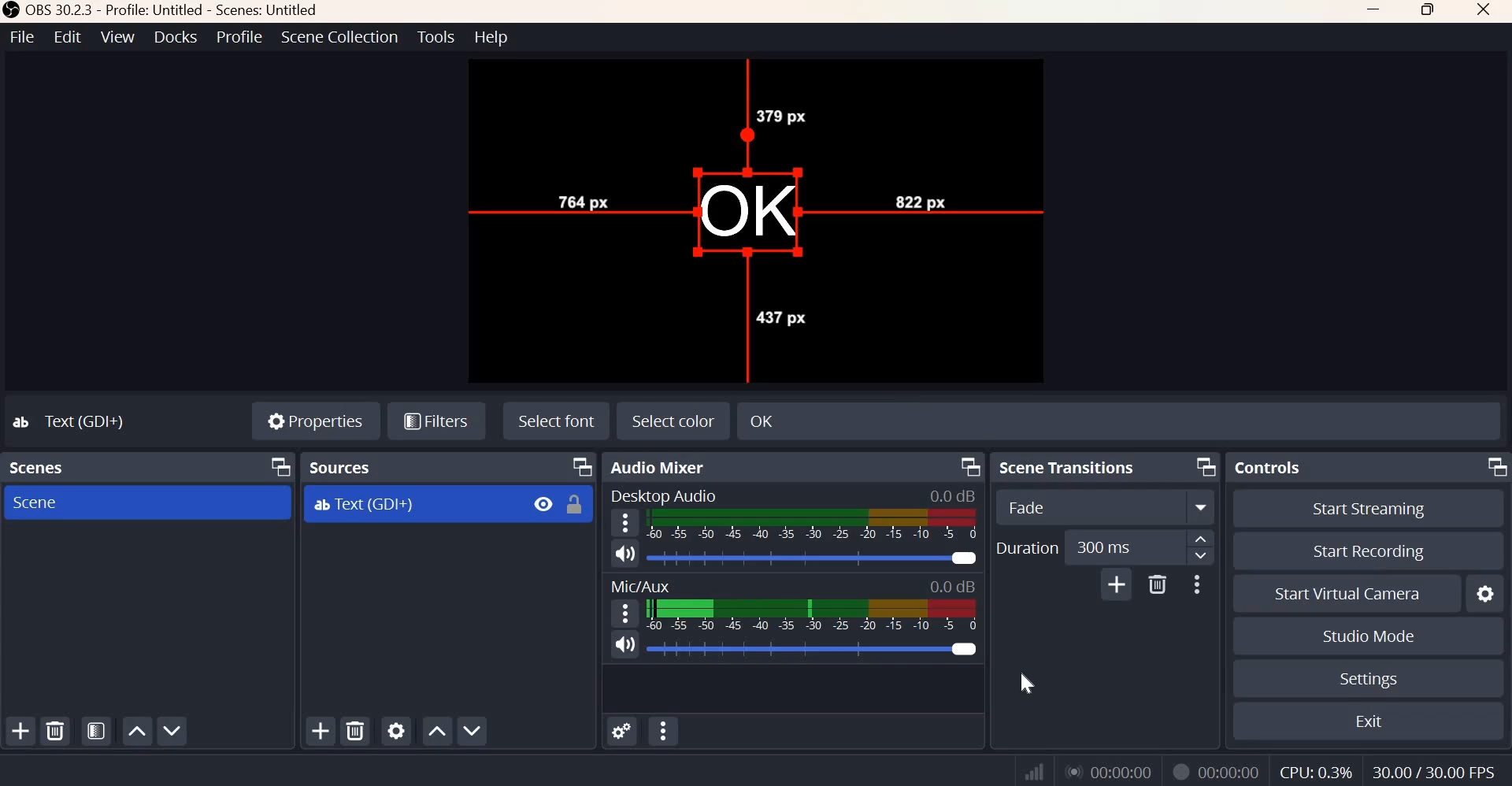 The image size is (1512, 786). What do you see at coordinates (54, 730) in the screenshot?
I see `Remove scene` at bounding box center [54, 730].